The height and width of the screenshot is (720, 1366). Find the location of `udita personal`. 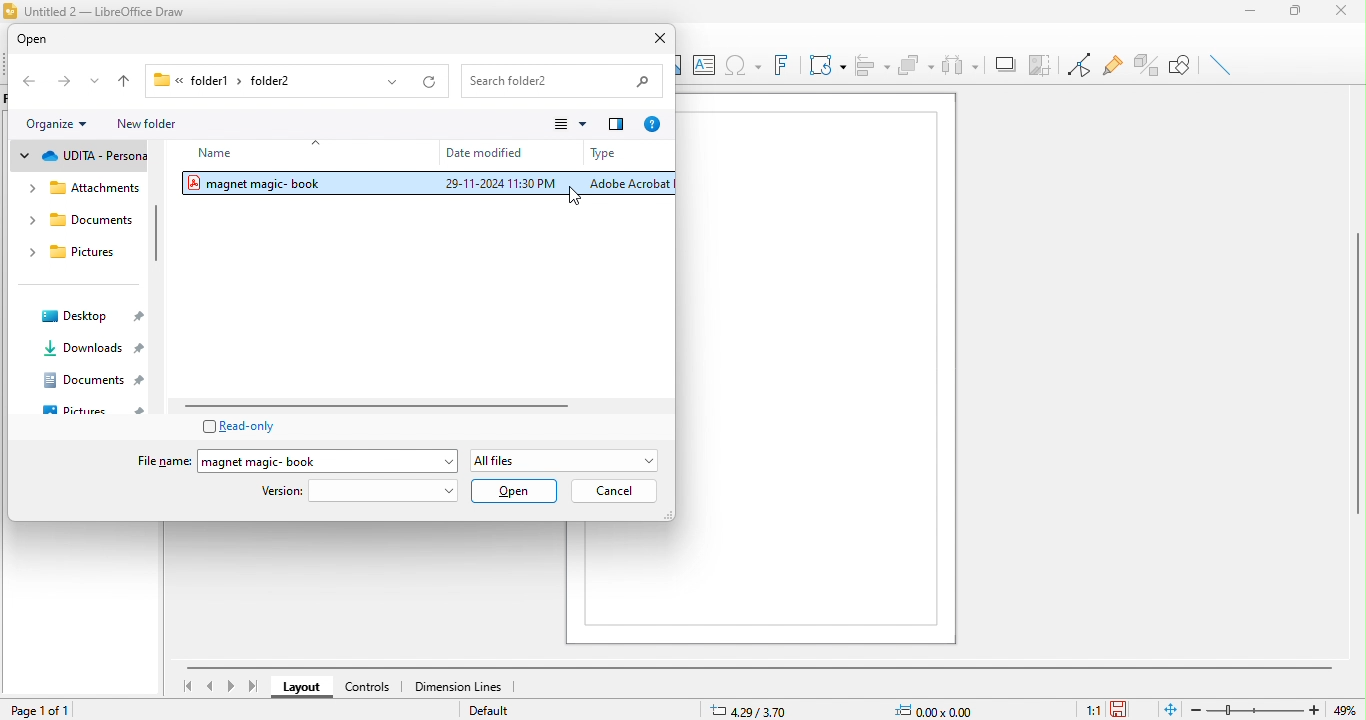

udita personal is located at coordinates (80, 157).